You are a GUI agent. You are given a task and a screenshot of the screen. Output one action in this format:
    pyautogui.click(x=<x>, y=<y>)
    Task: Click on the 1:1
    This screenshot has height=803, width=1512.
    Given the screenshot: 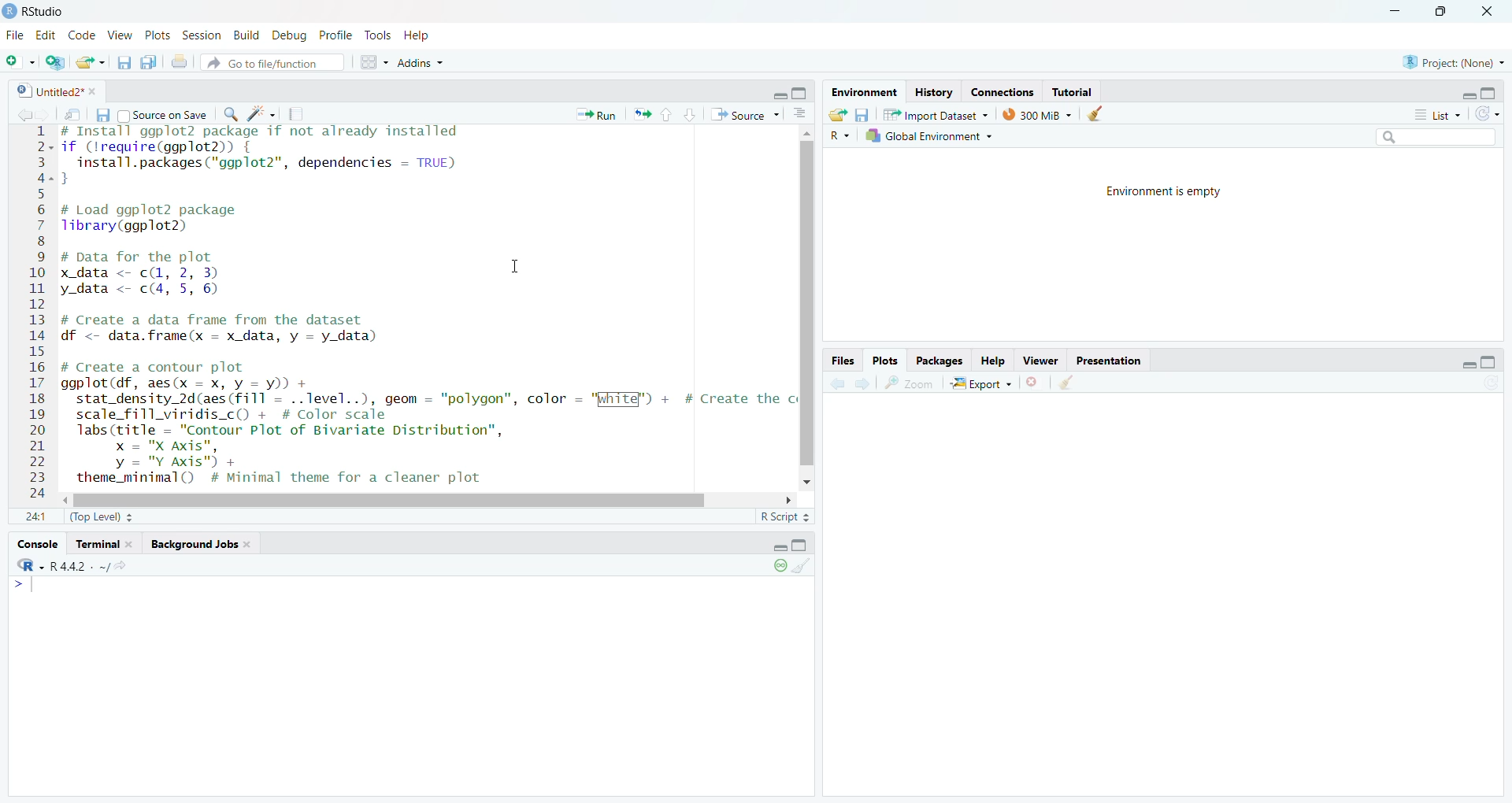 What is the action you would take?
    pyautogui.click(x=34, y=519)
    